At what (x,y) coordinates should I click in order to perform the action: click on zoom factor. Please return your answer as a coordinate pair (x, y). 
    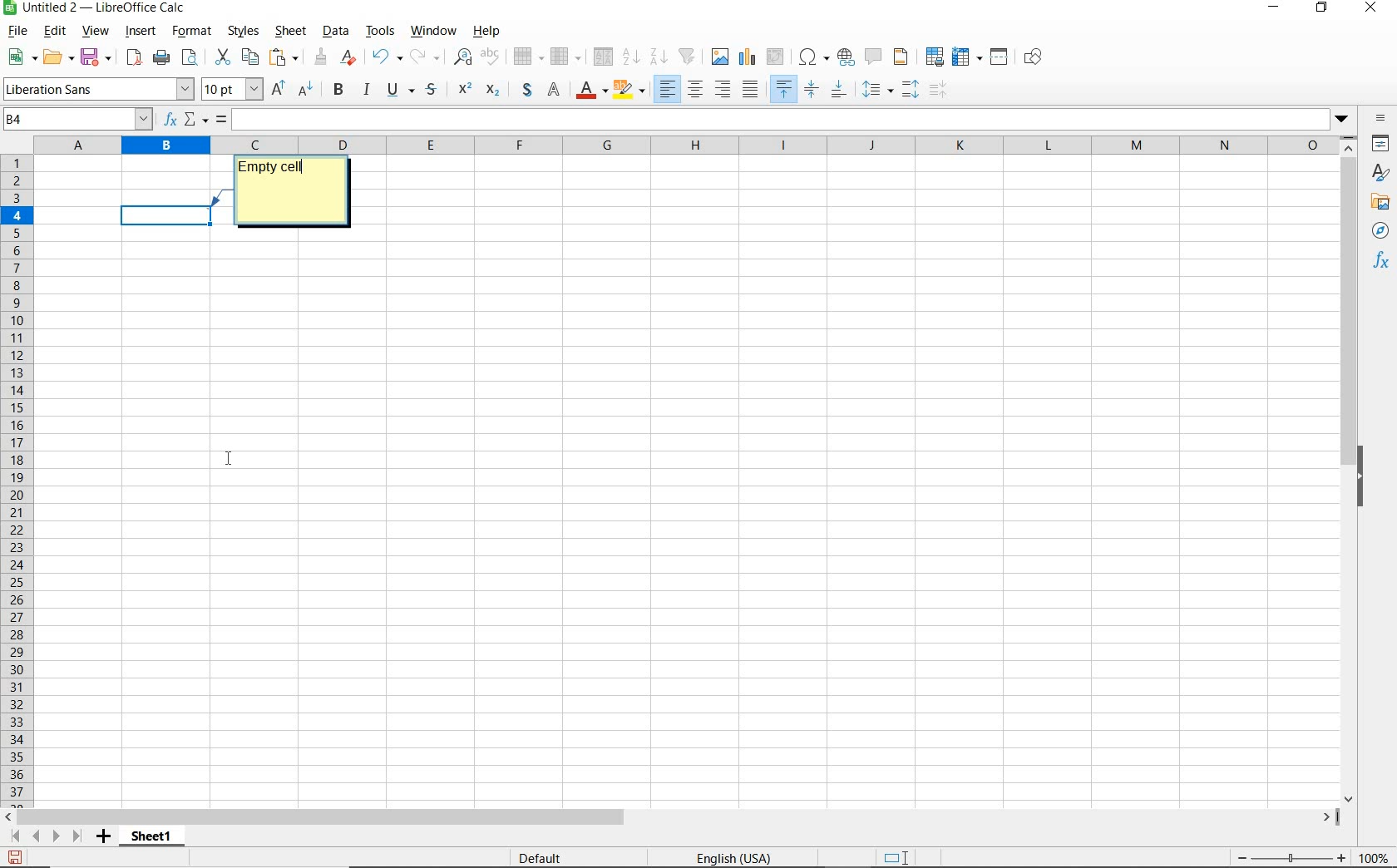
    Looking at the image, I should click on (1374, 860).